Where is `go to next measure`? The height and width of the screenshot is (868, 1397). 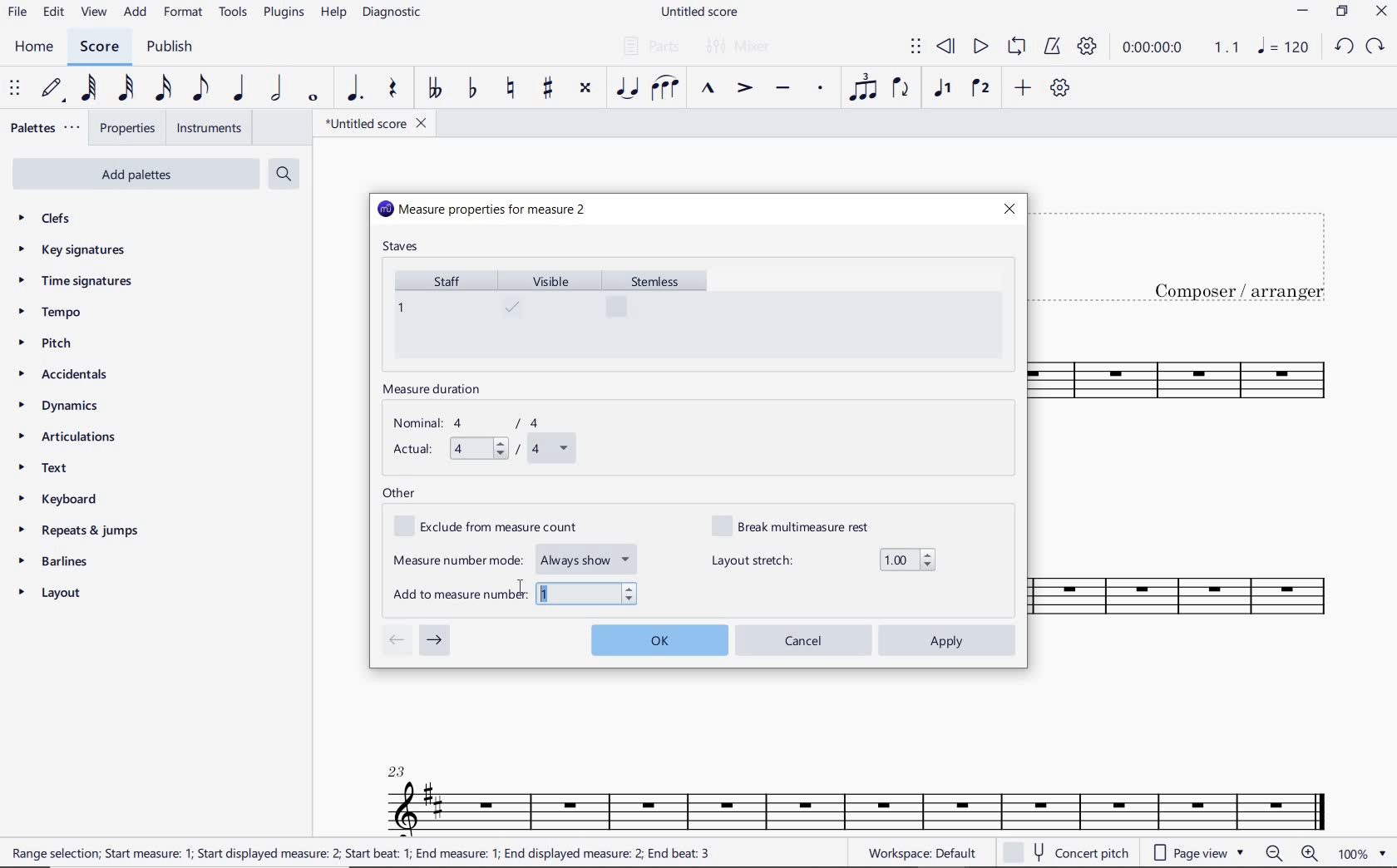
go to next measure is located at coordinates (435, 641).